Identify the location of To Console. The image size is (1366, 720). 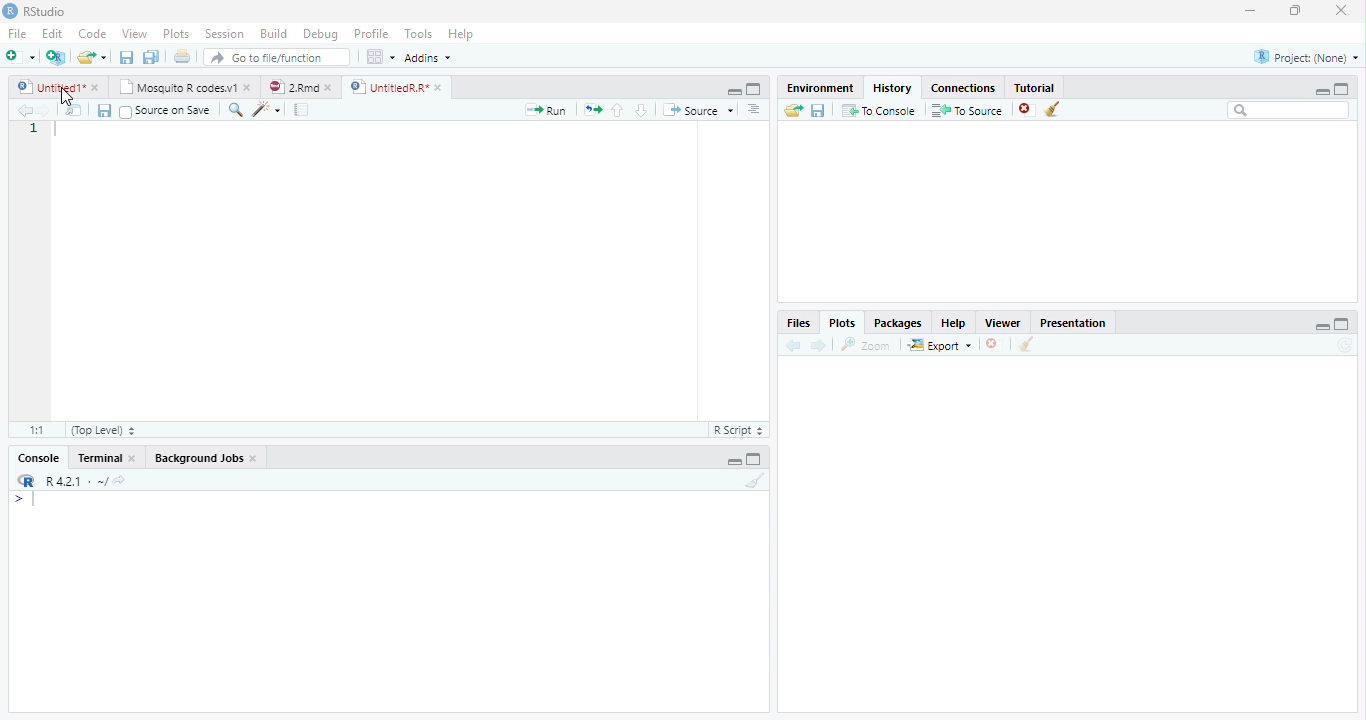
(879, 113).